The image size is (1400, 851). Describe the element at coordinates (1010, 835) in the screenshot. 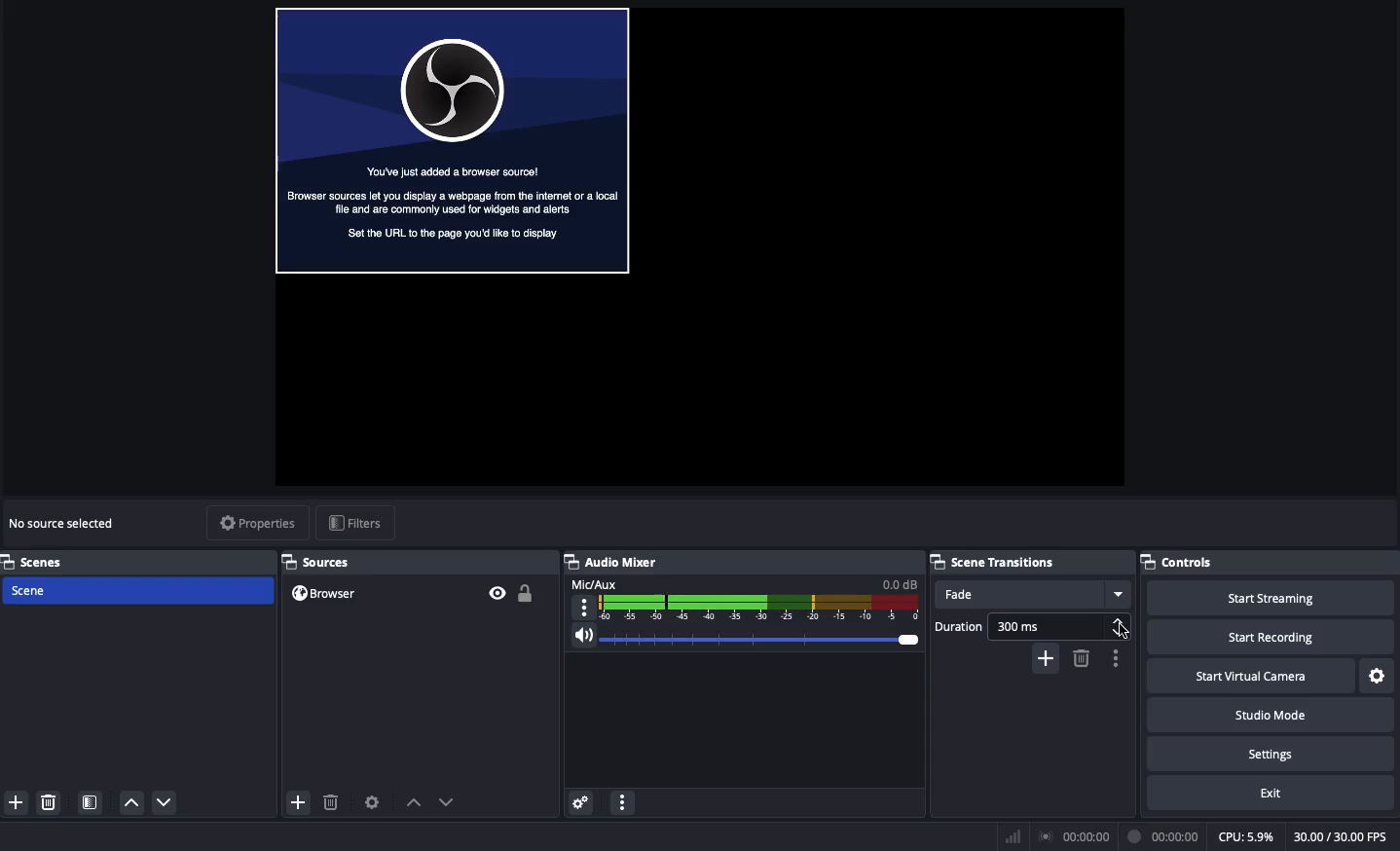

I see `Bars` at that location.